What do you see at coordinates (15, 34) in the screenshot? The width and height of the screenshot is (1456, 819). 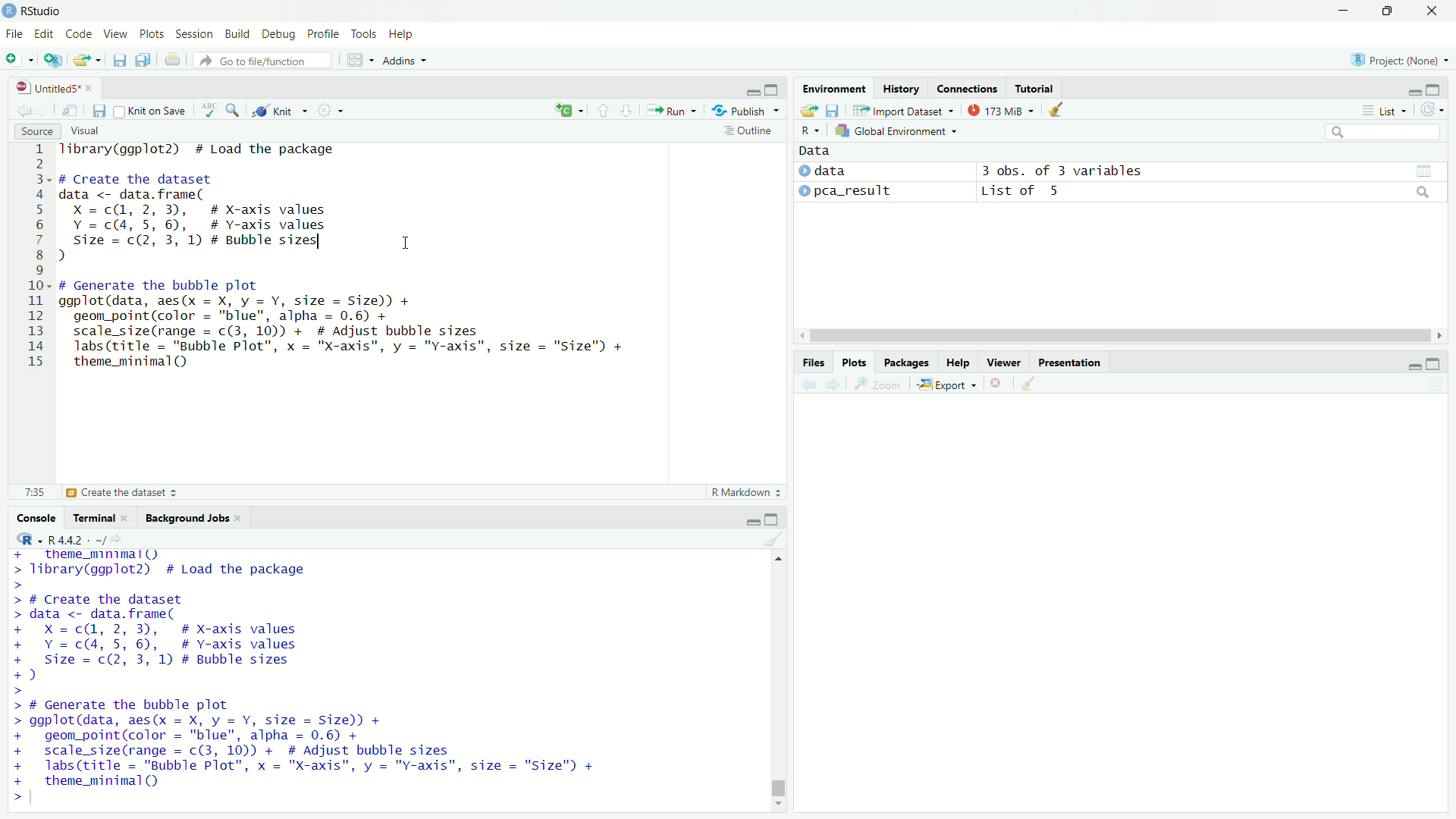 I see `File` at bounding box center [15, 34].